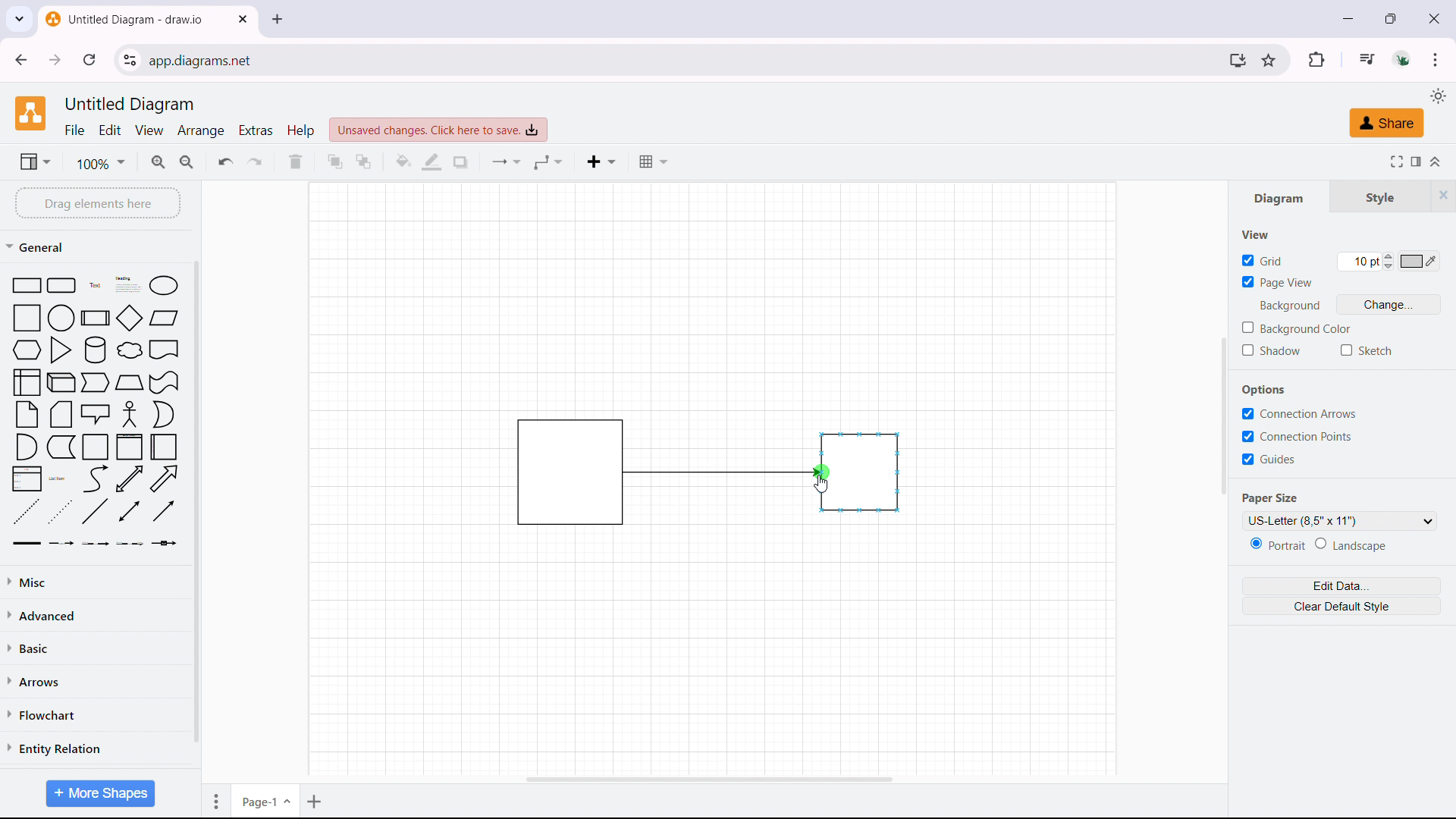 Image resolution: width=1456 pixels, height=819 pixels. Describe the element at coordinates (159, 162) in the screenshot. I see `zoomin` at that location.